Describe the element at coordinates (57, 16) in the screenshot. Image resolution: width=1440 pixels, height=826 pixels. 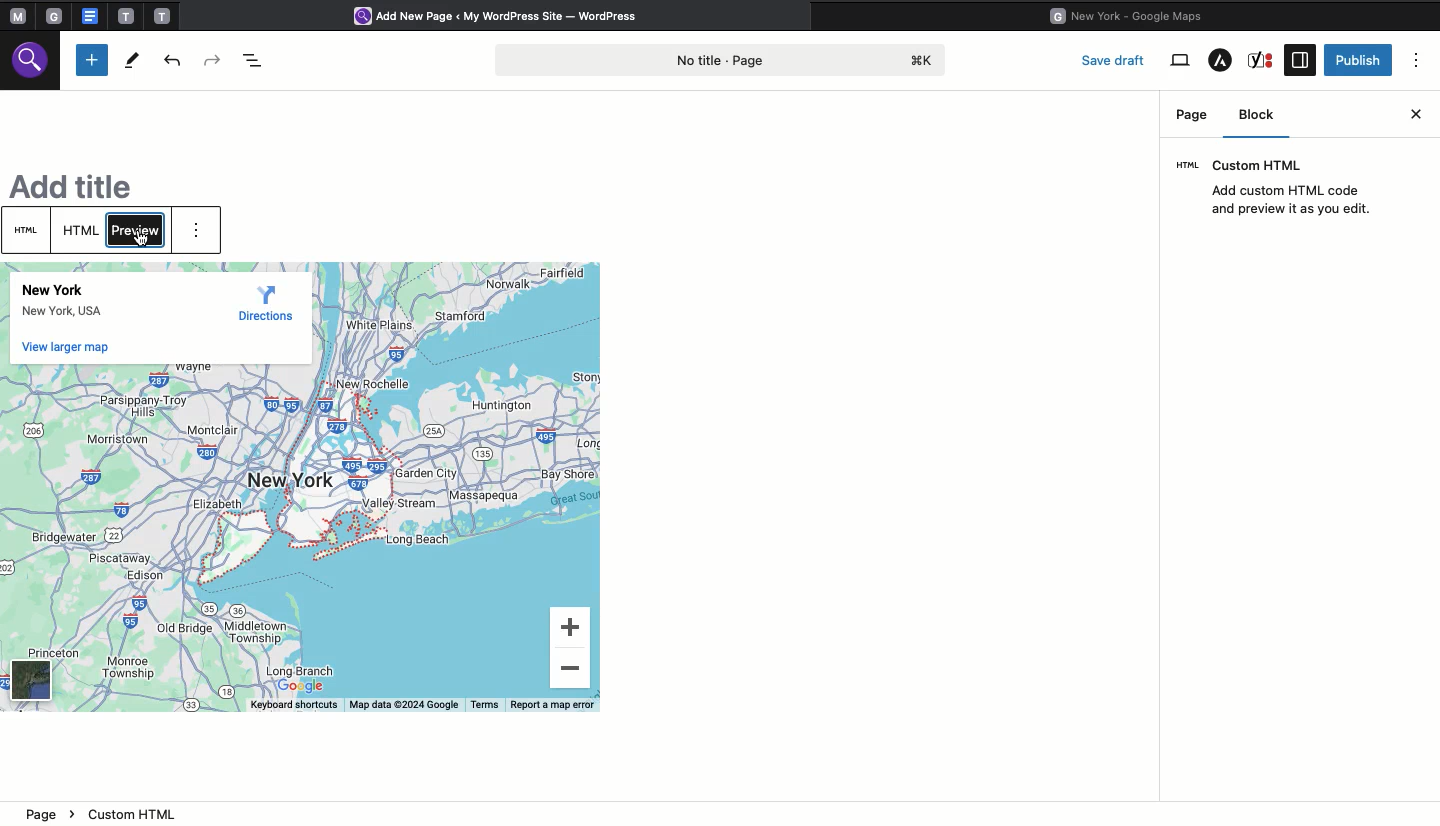
I see `tab` at that location.